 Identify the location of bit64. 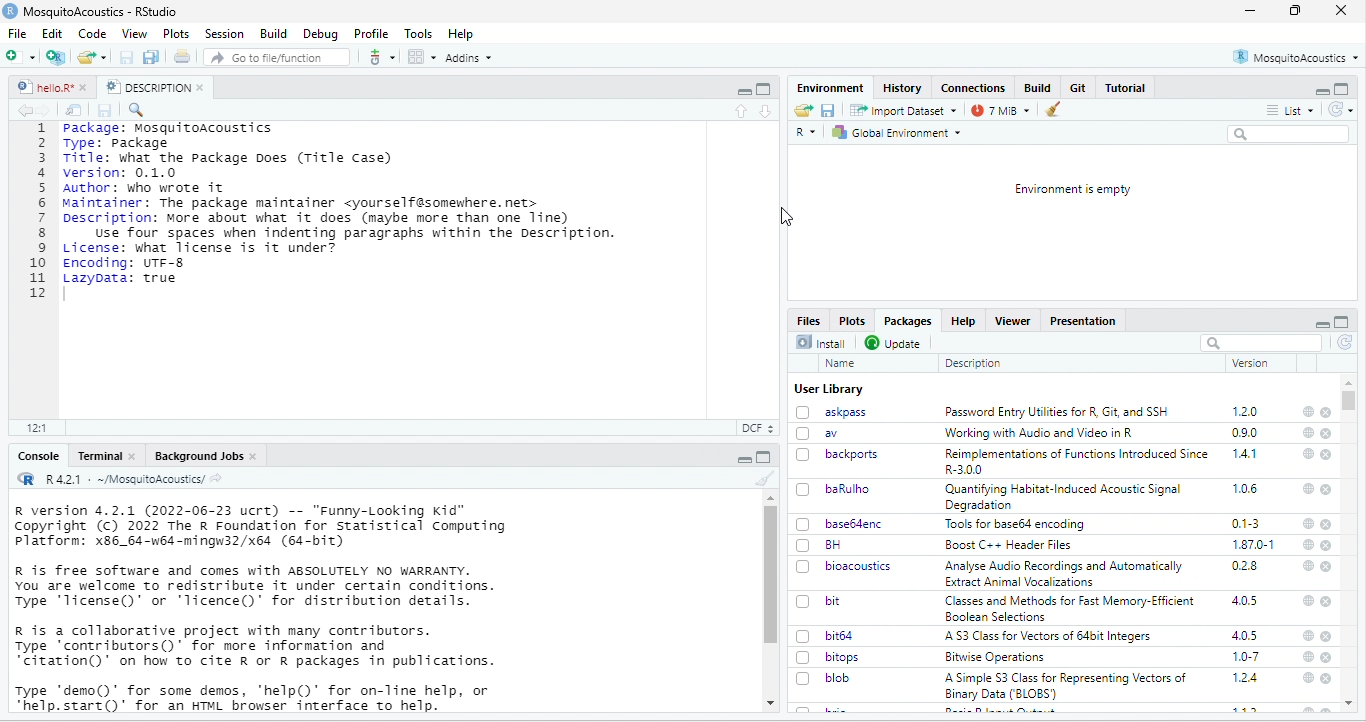
(827, 635).